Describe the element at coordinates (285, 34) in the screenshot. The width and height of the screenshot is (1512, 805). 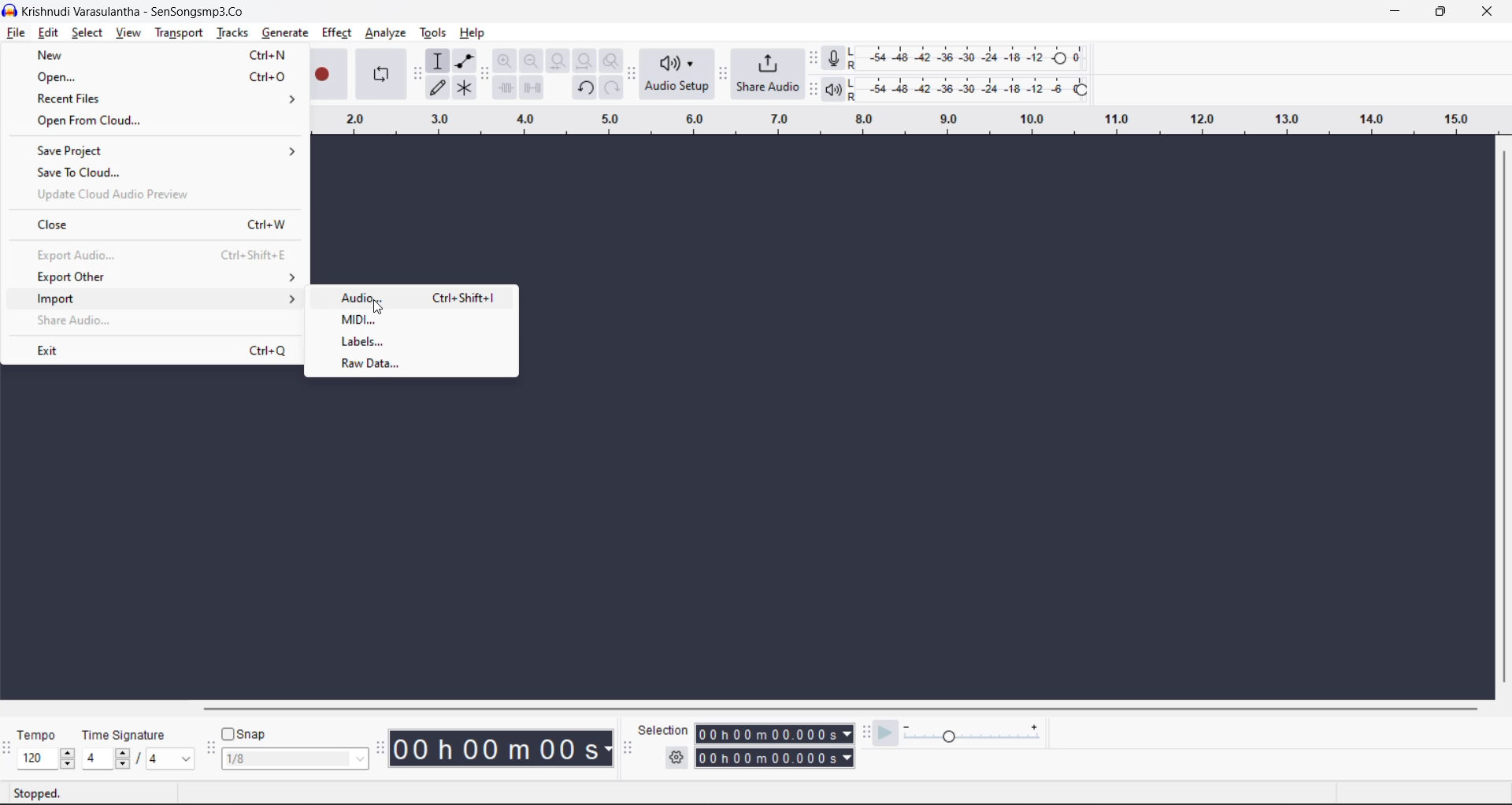
I see `generate` at that location.